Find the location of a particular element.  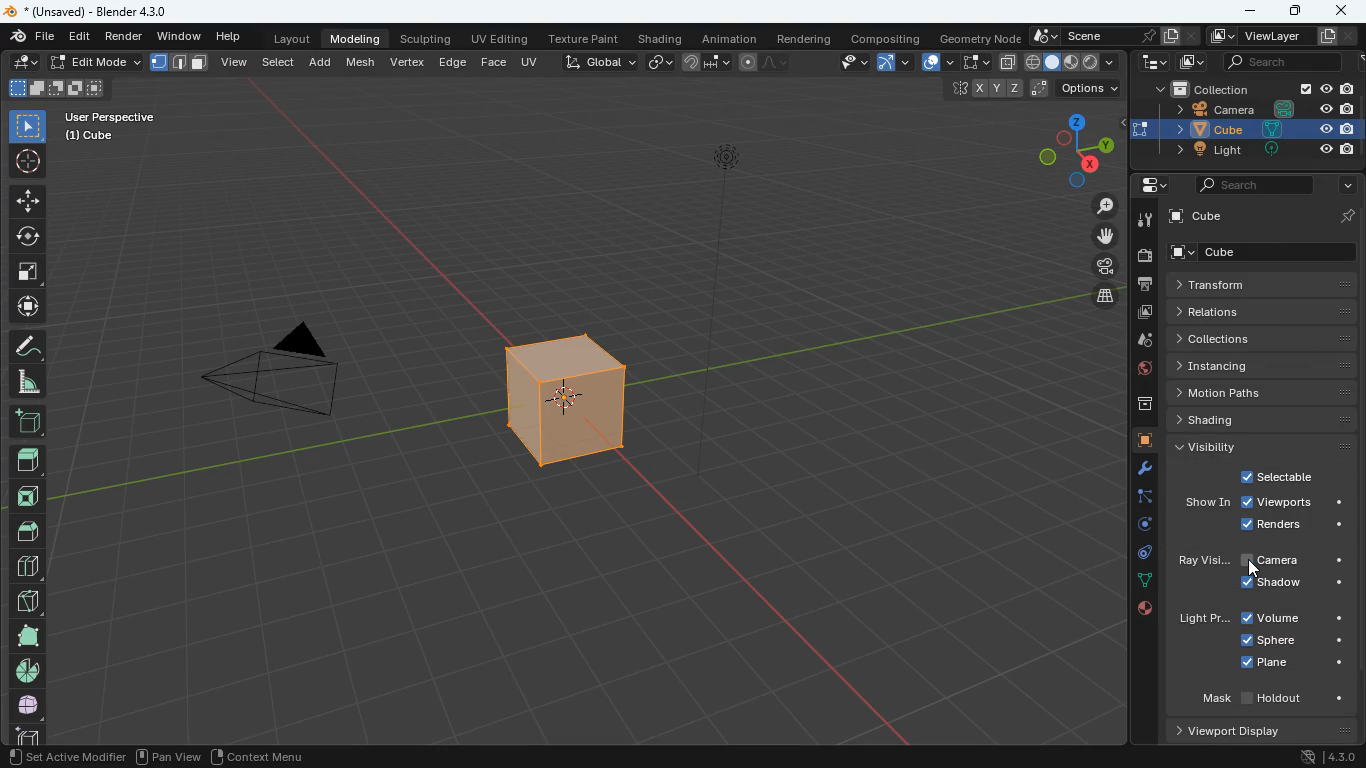

public is located at coordinates (1143, 608).